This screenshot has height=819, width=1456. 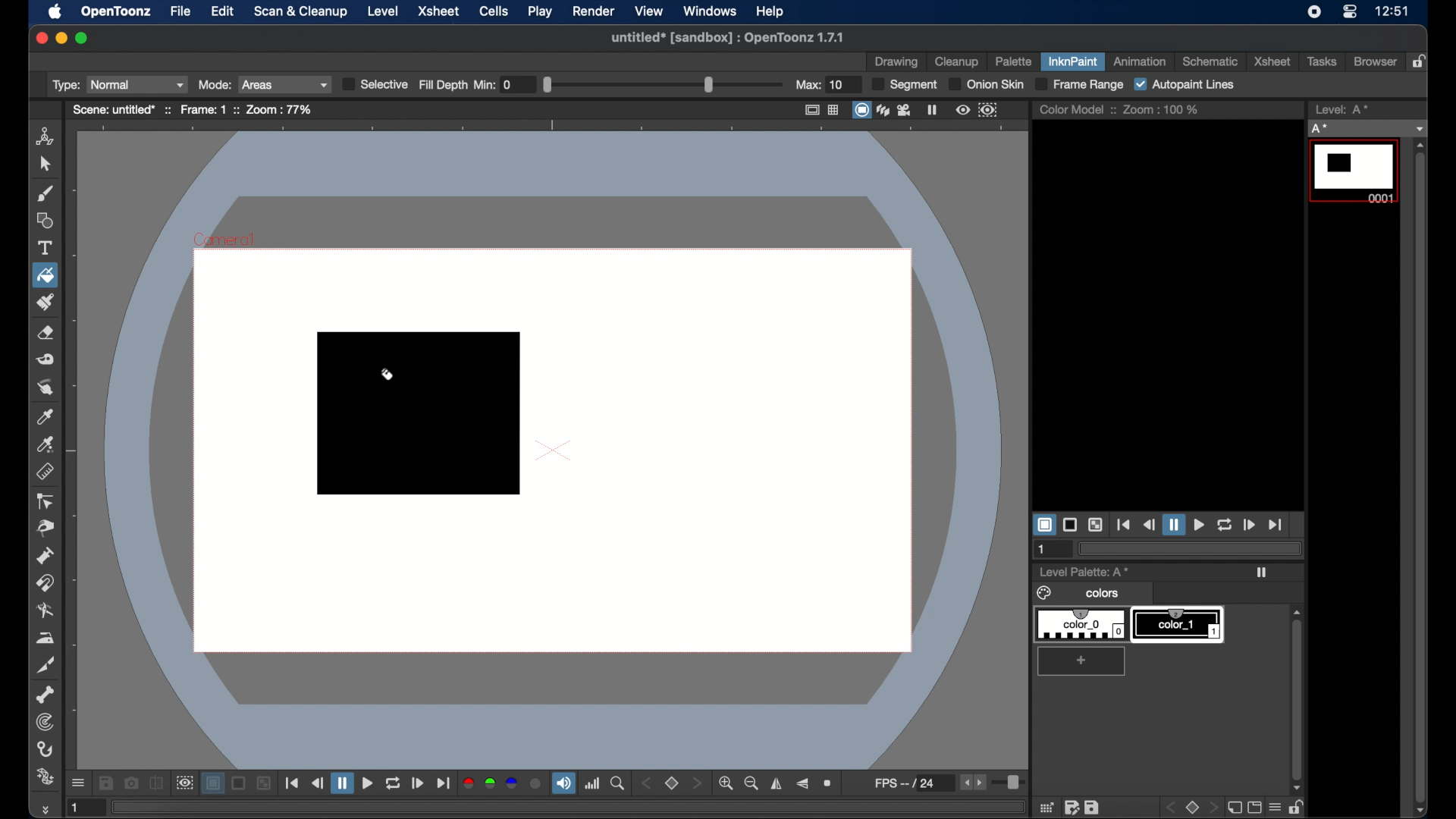 I want to click on 1, so click(x=83, y=807).